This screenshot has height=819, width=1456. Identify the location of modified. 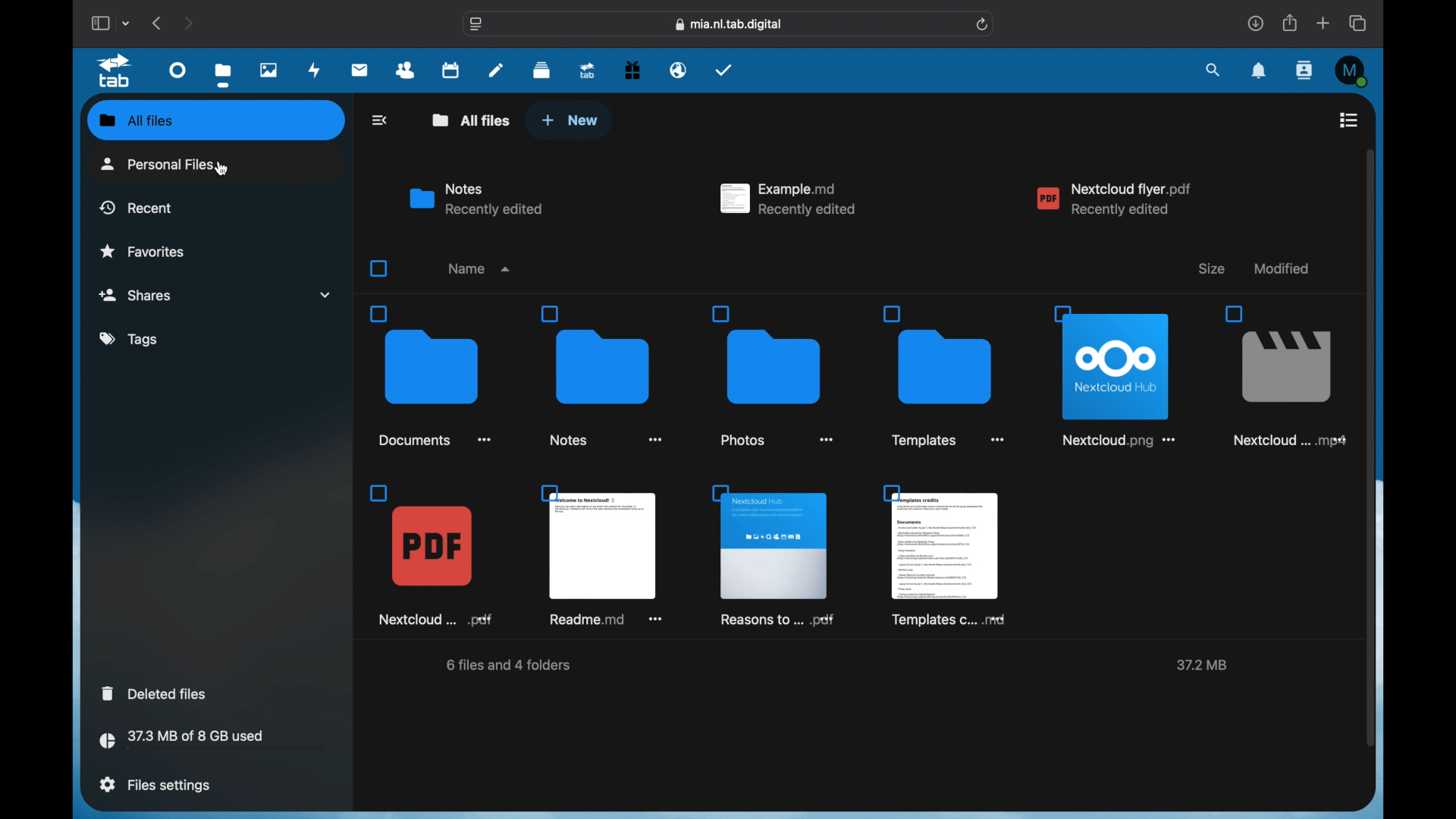
(1282, 268).